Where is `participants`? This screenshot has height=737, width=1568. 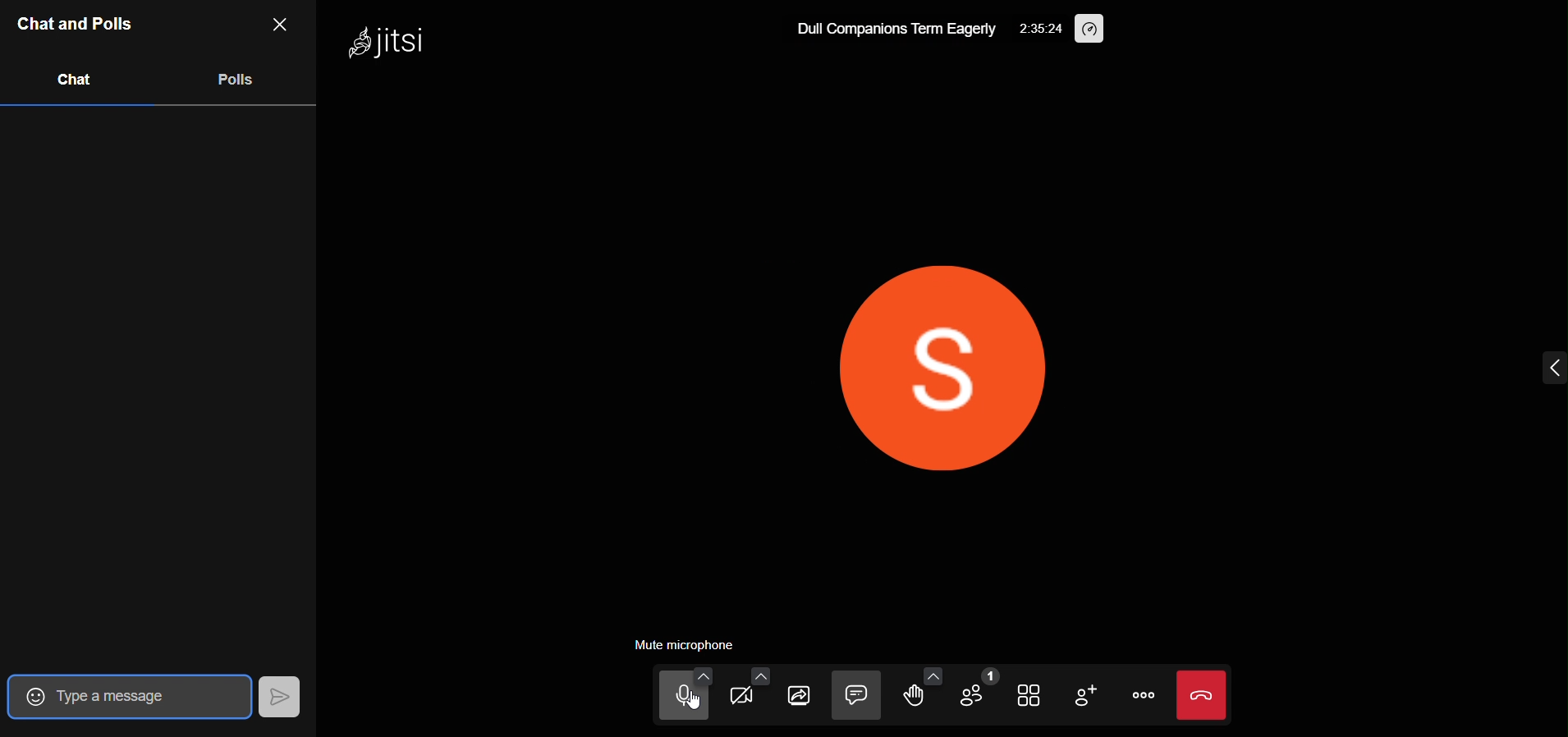
participants is located at coordinates (980, 691).